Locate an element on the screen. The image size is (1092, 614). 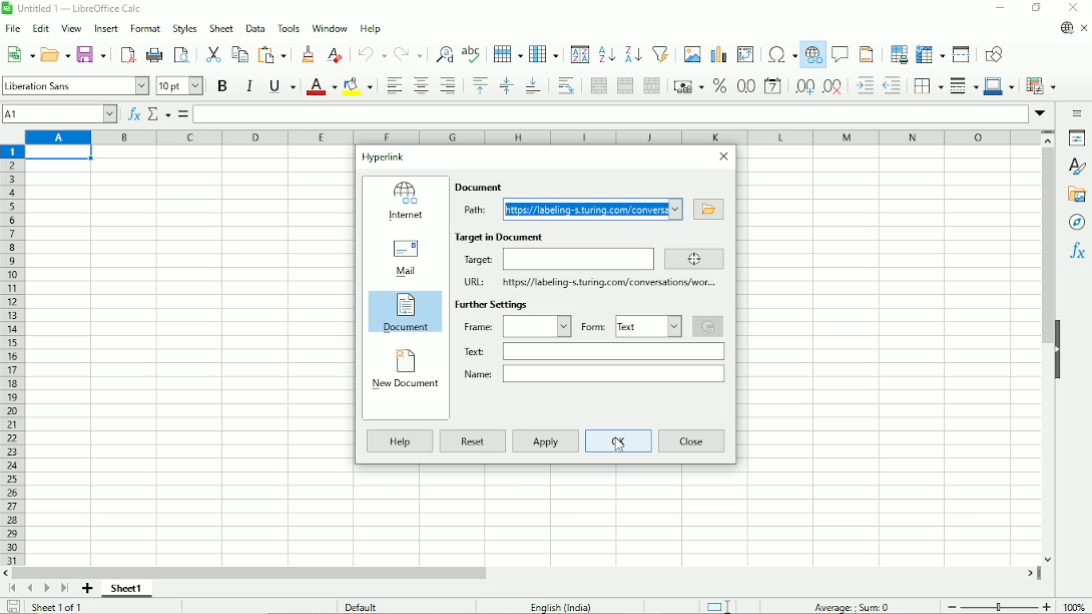
Align bottom is located at coordinates (532, 86).